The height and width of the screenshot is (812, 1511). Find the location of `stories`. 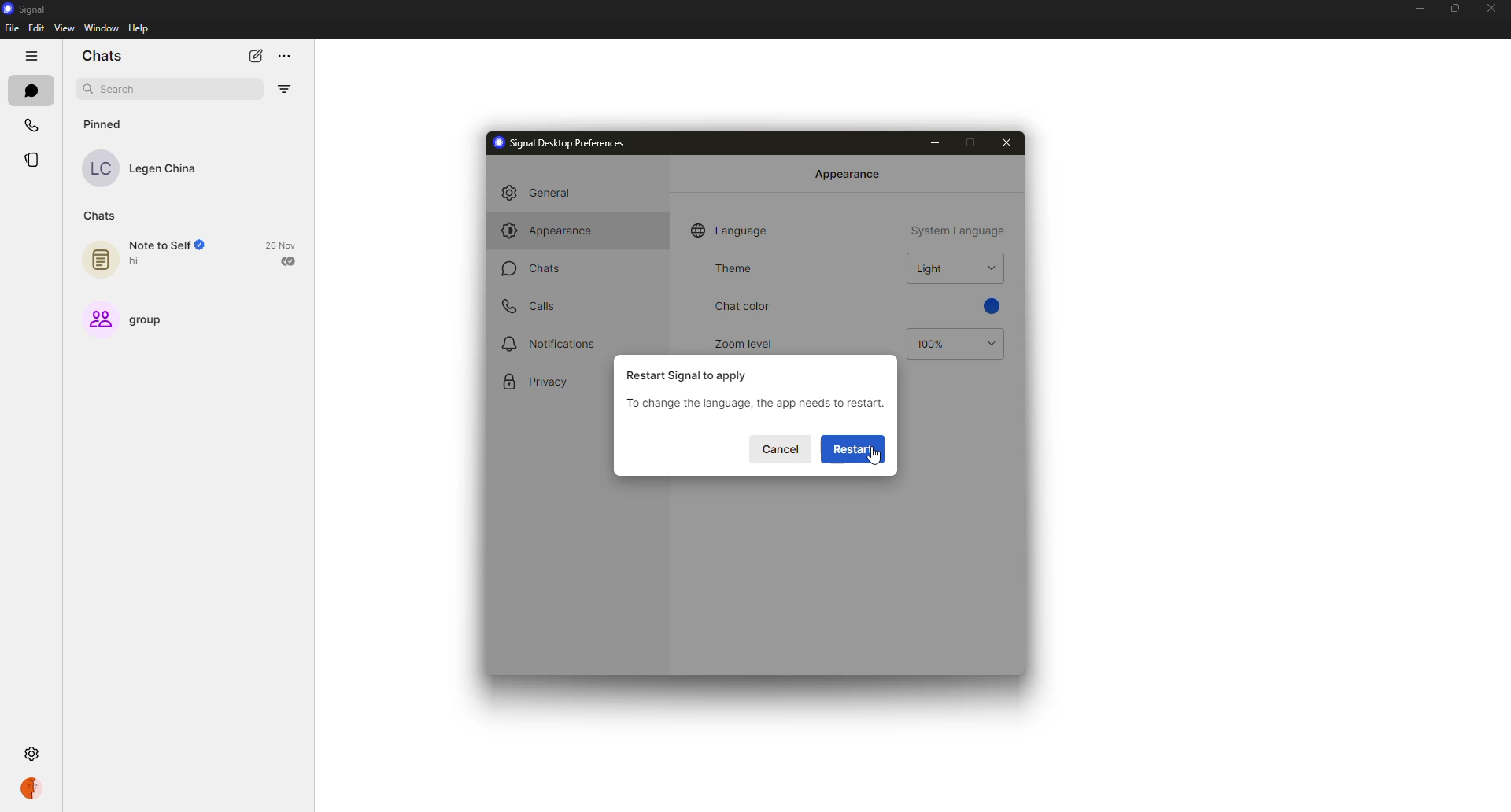

stories is located at coordinates (34, 160).